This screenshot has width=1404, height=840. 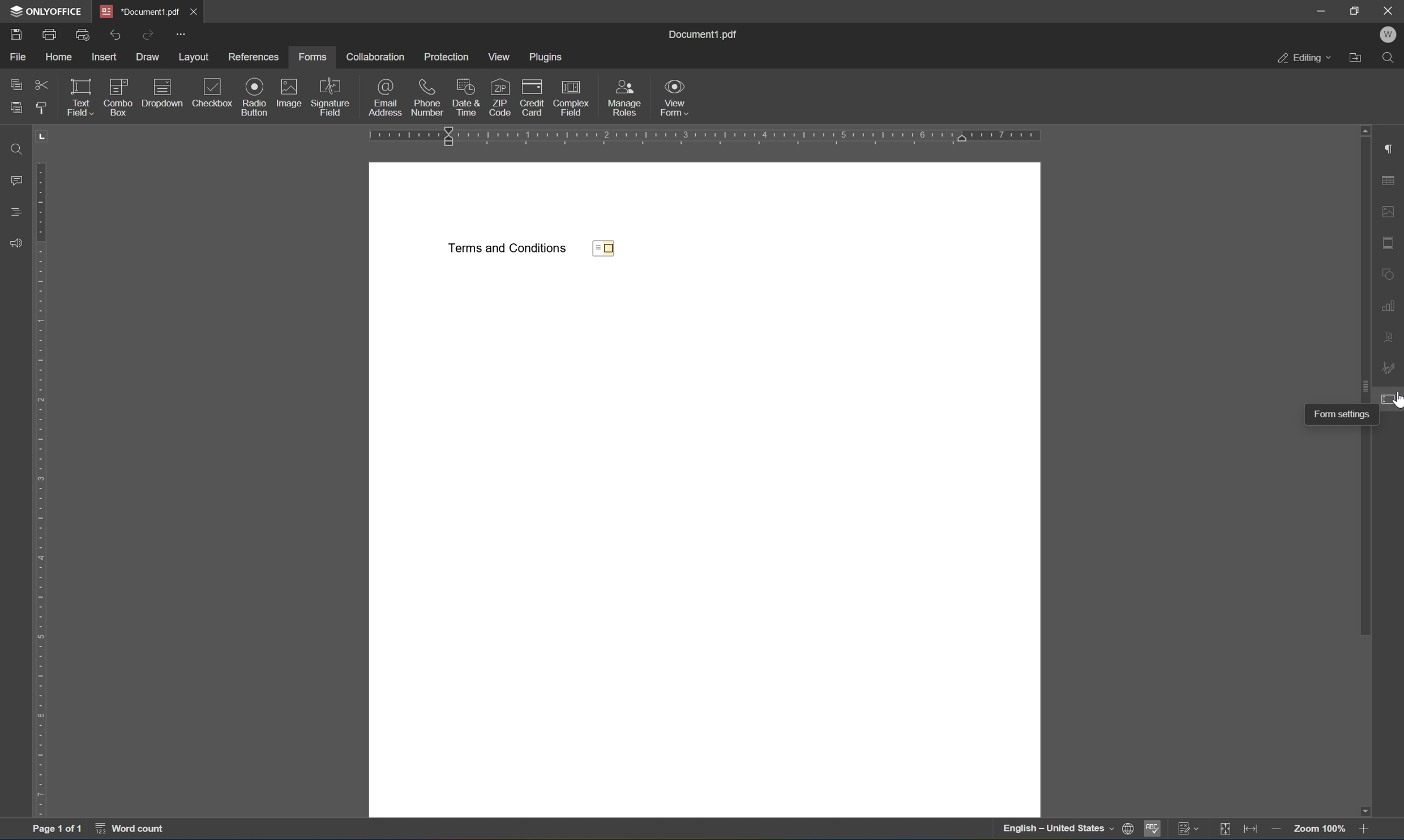 What do you see at coordinates (571, 96) in the screenshot?
I see `complex field` at bounding box center [571, 96].